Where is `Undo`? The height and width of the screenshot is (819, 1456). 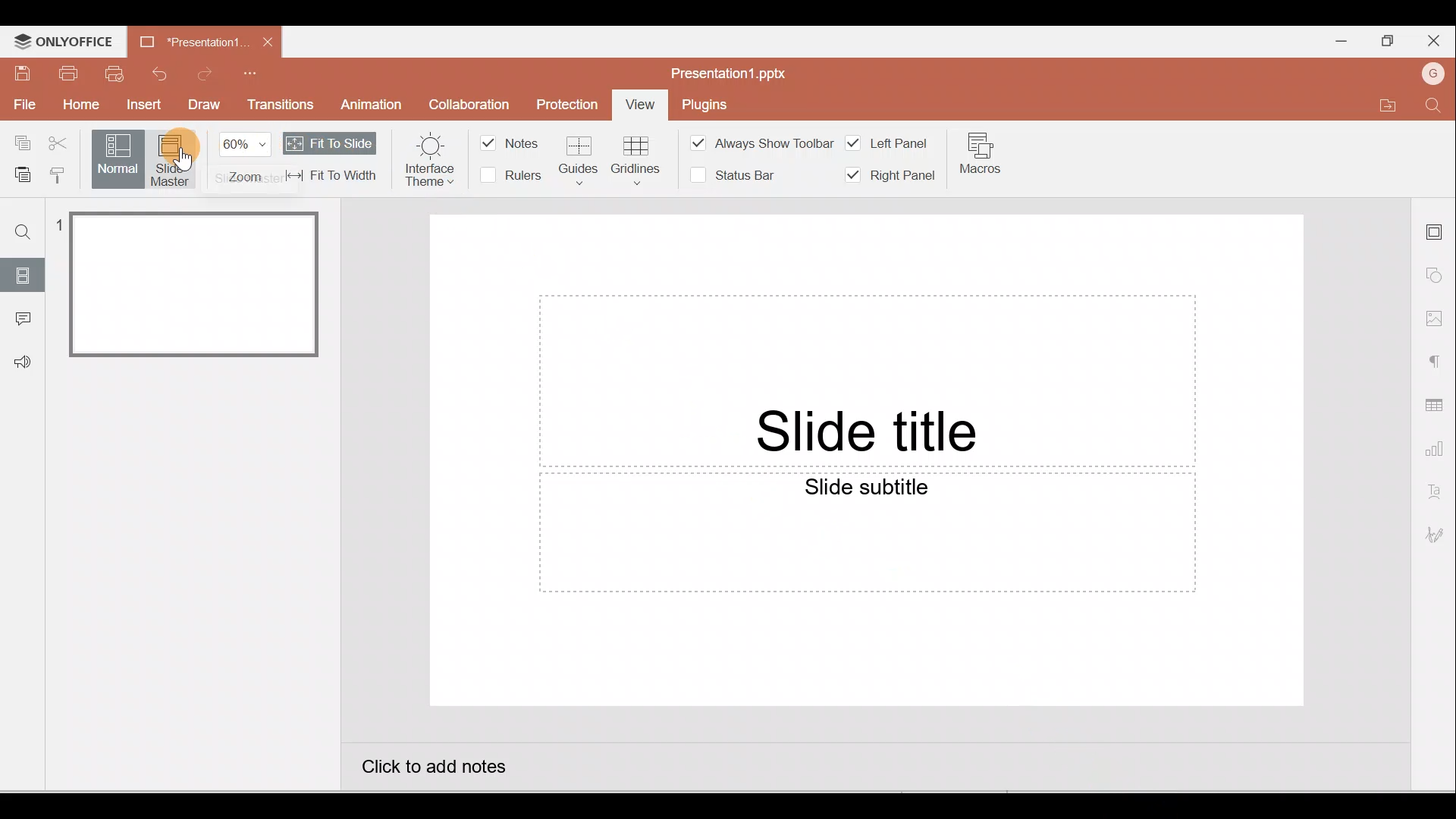 Undo is located at coordinates (158, 72).